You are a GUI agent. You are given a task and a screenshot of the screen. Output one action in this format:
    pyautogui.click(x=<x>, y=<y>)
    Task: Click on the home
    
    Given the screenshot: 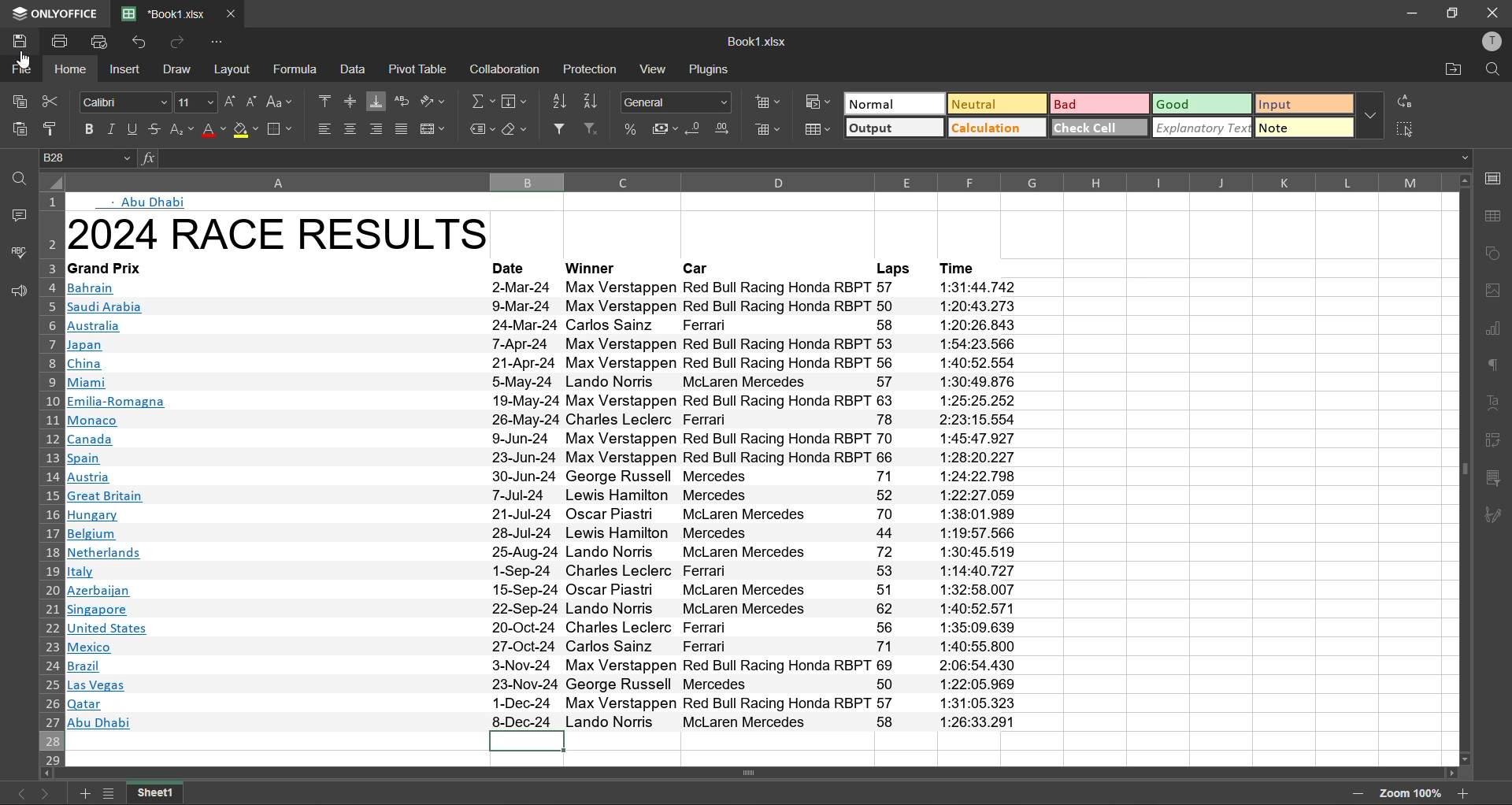 What is the action you would take?
    pyautogui.click(x=71, y=72)
    